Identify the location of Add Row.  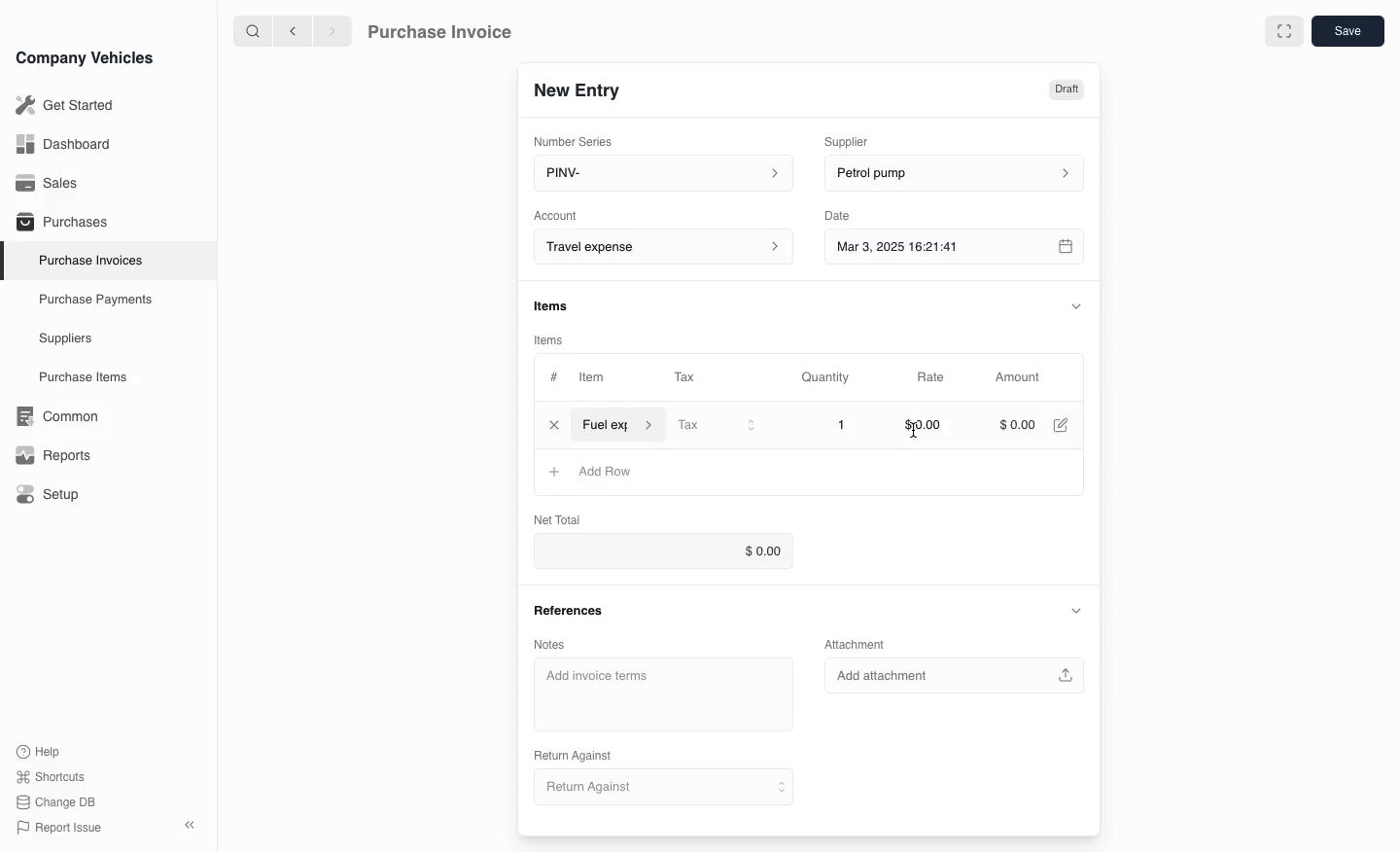
(589, 473).